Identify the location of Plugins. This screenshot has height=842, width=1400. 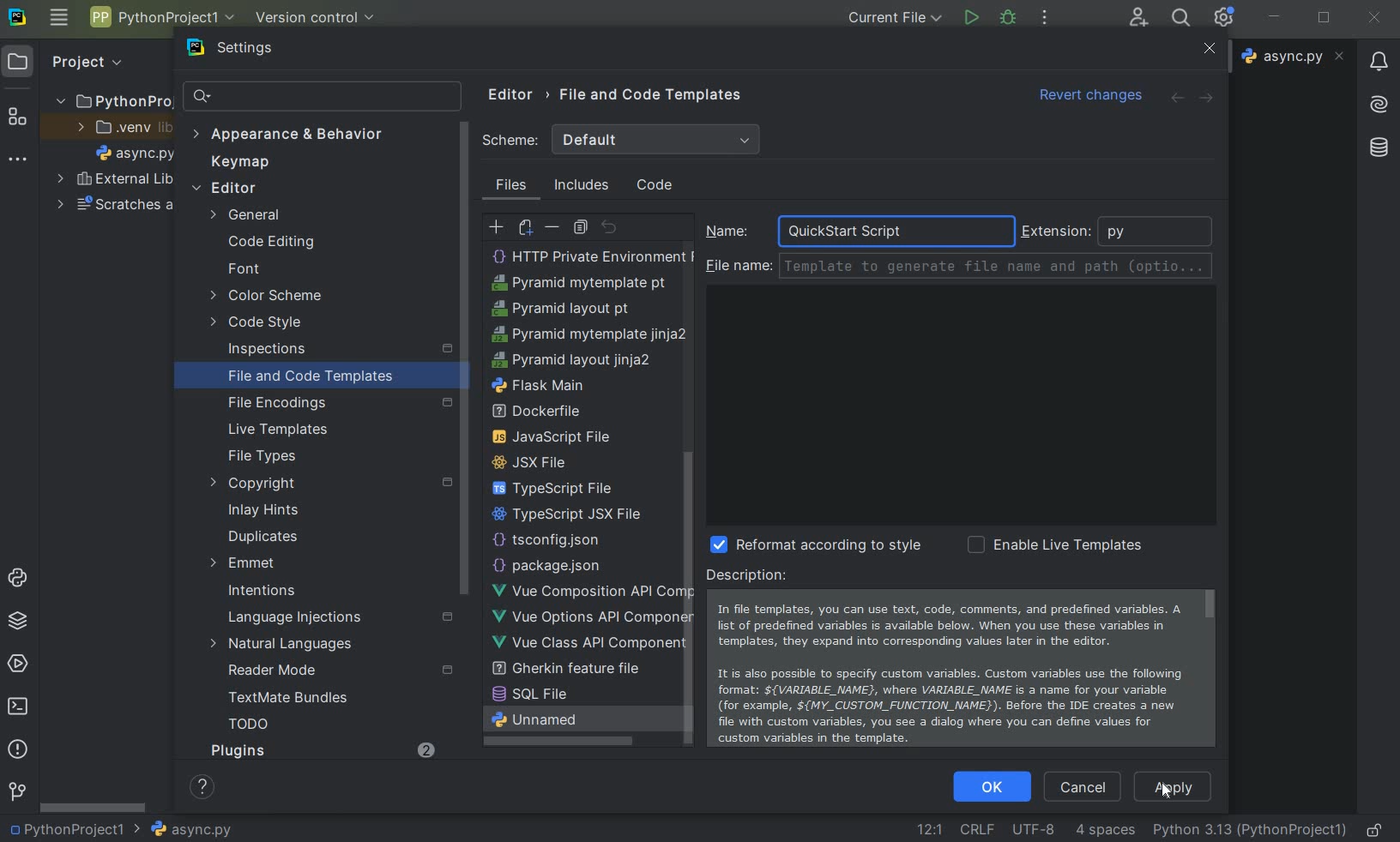
(320, 753).